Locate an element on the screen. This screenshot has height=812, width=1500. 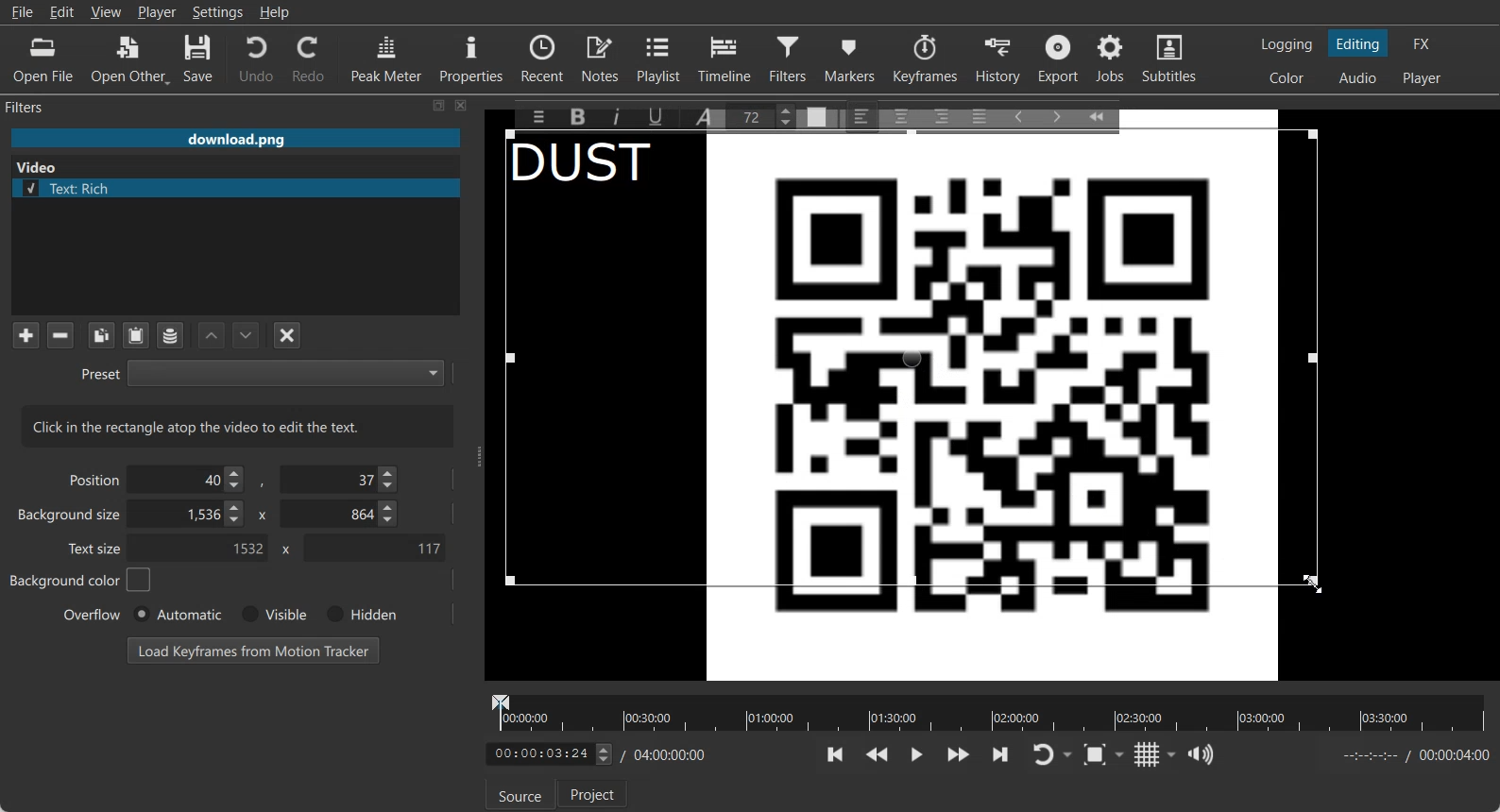
Peak Meter is located at coordinates (387, 58).